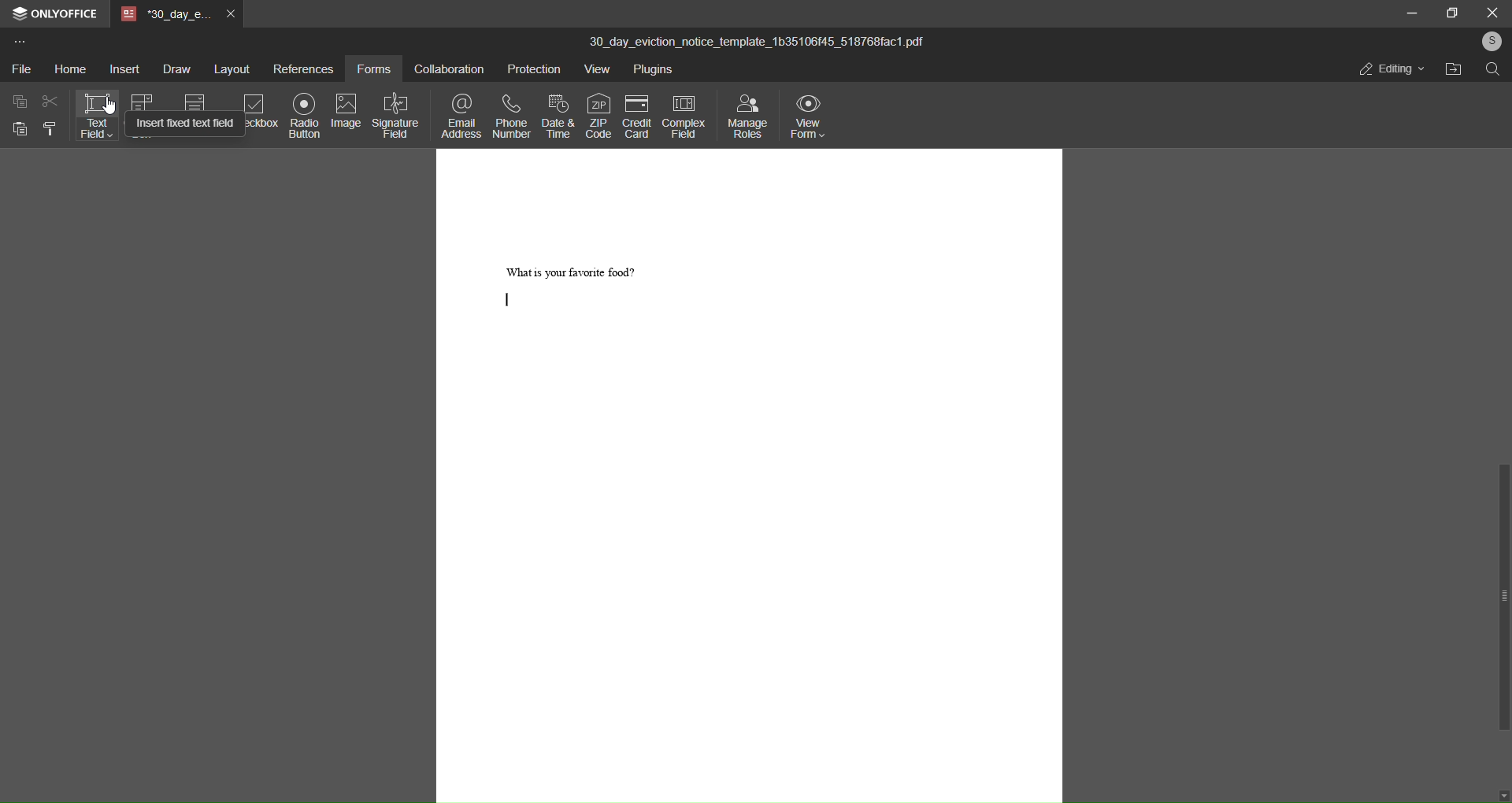 The width and height of the screenshot is (1512, 803). Describe the element at coordinates (230, 16) in the screenshot. I see `close tab` at that location.